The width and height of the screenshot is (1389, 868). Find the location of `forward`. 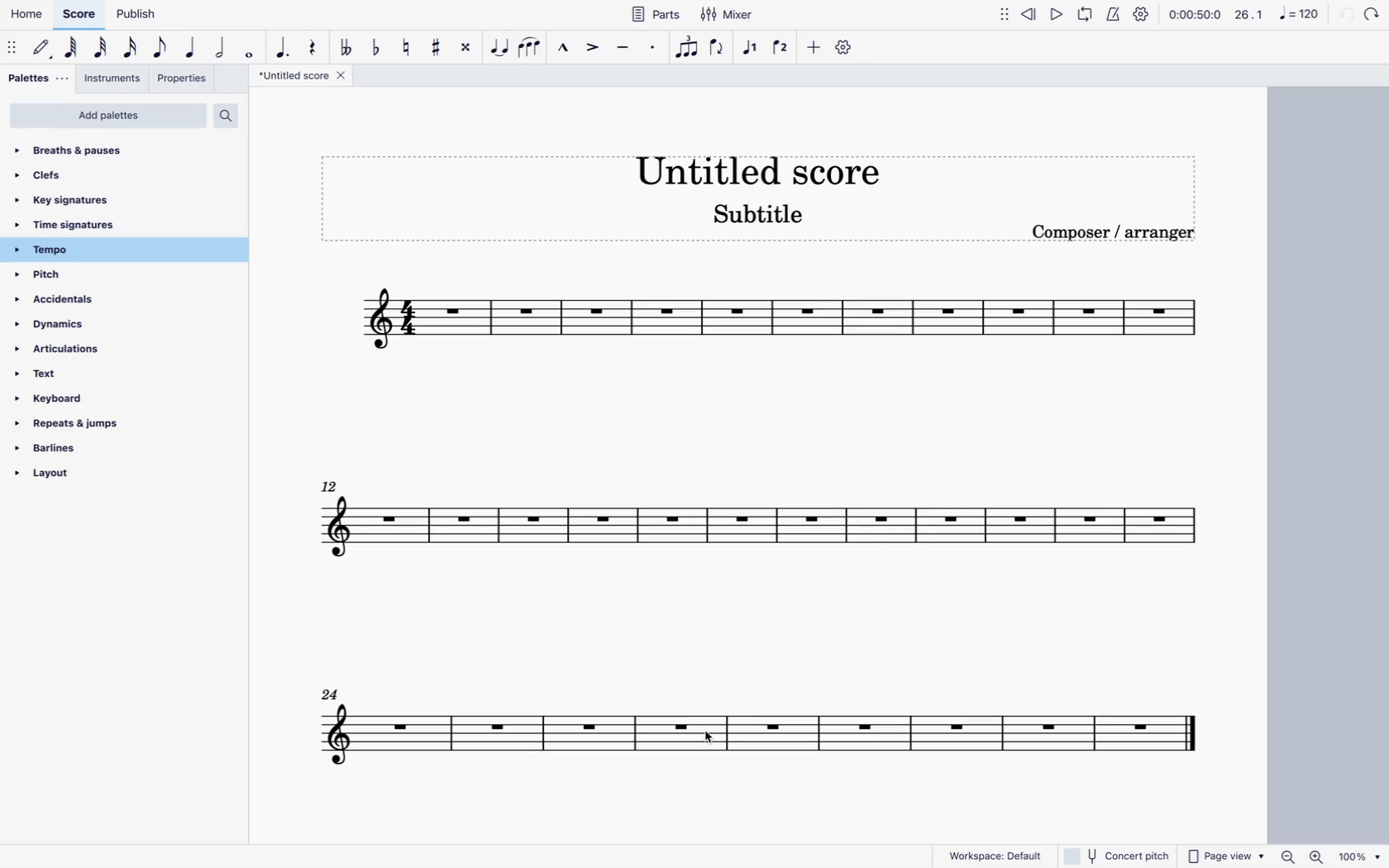

forward is located at coordinates (1376, 15).